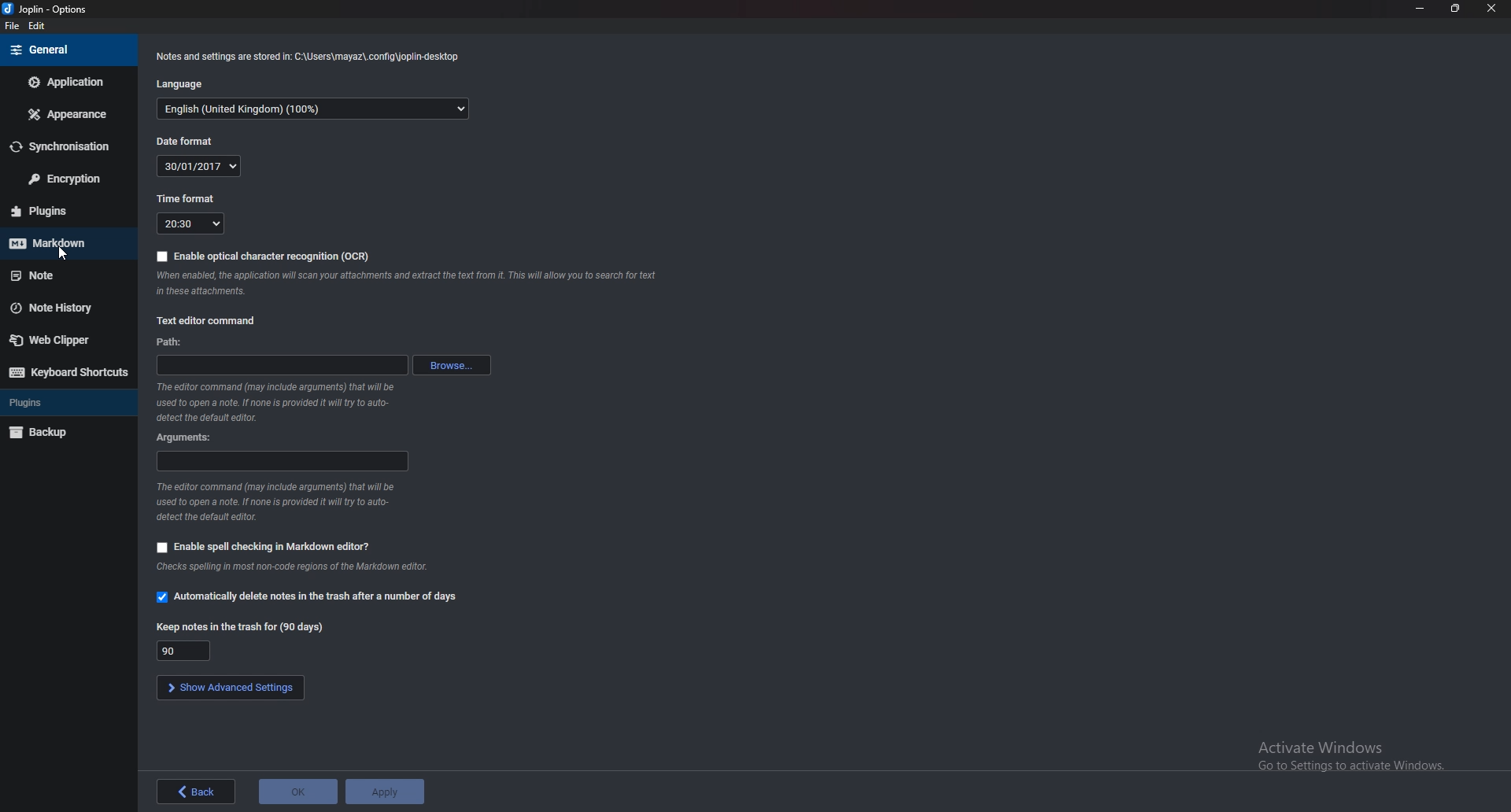  I want to click on Note history, so click(60, 307).